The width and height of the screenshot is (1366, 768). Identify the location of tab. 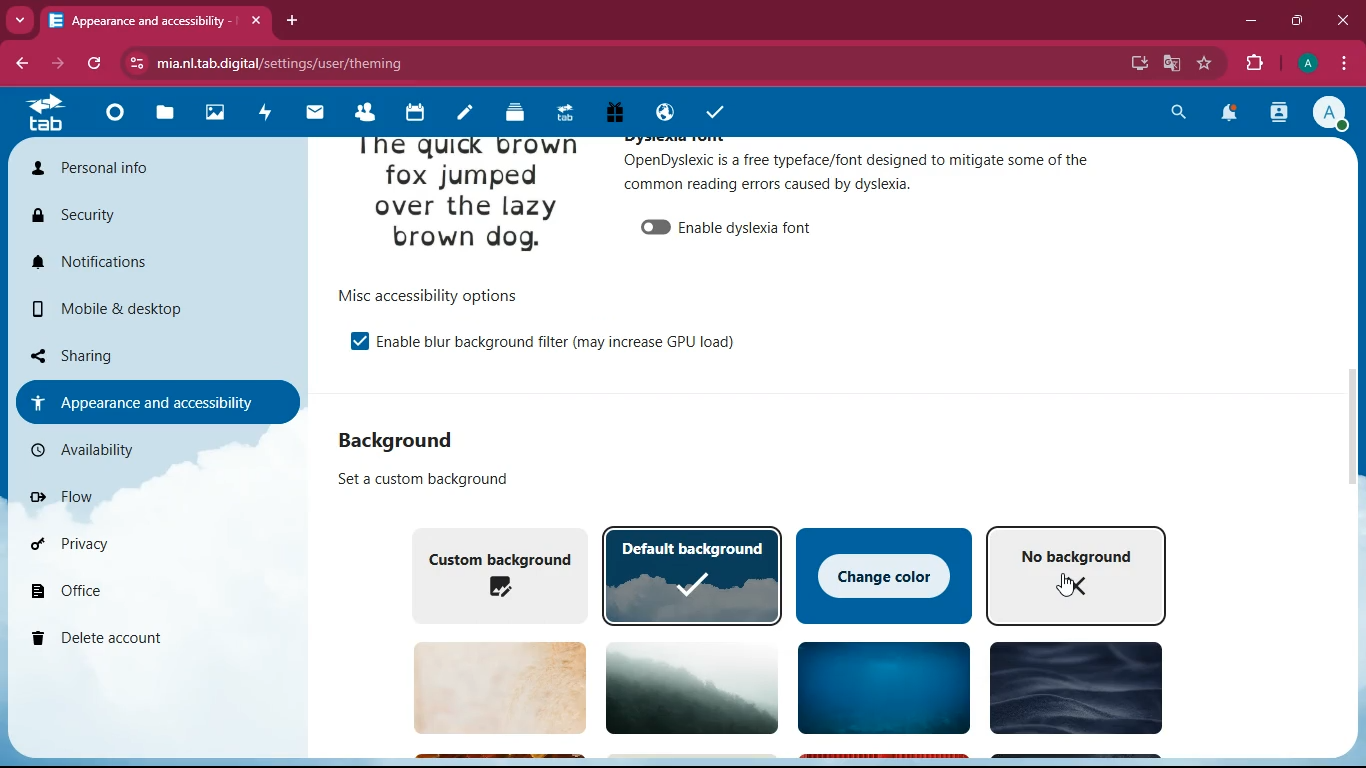
(46, 113).